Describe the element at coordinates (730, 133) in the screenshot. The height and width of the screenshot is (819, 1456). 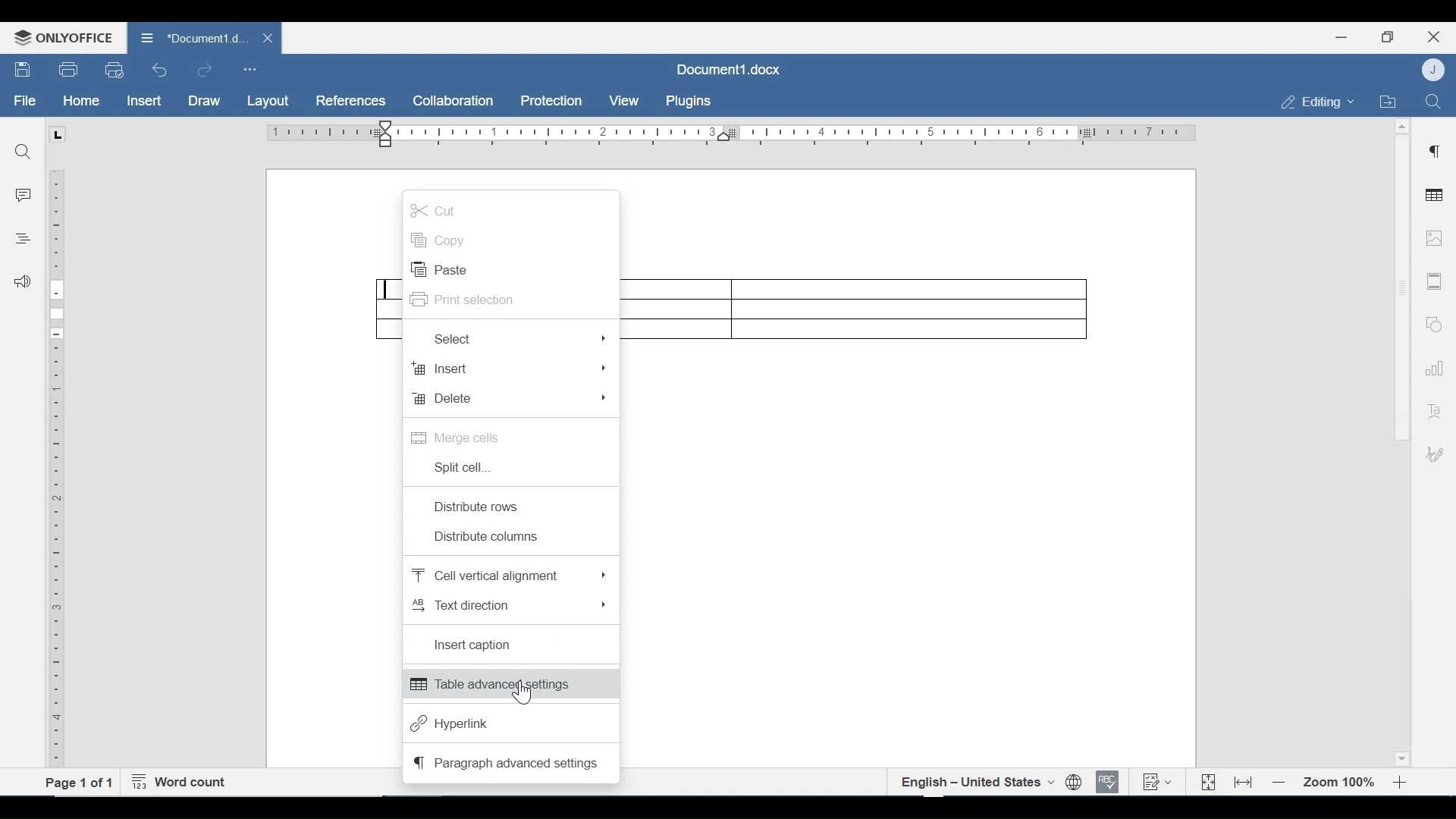
I see `Horizontal Ruler` at that location.